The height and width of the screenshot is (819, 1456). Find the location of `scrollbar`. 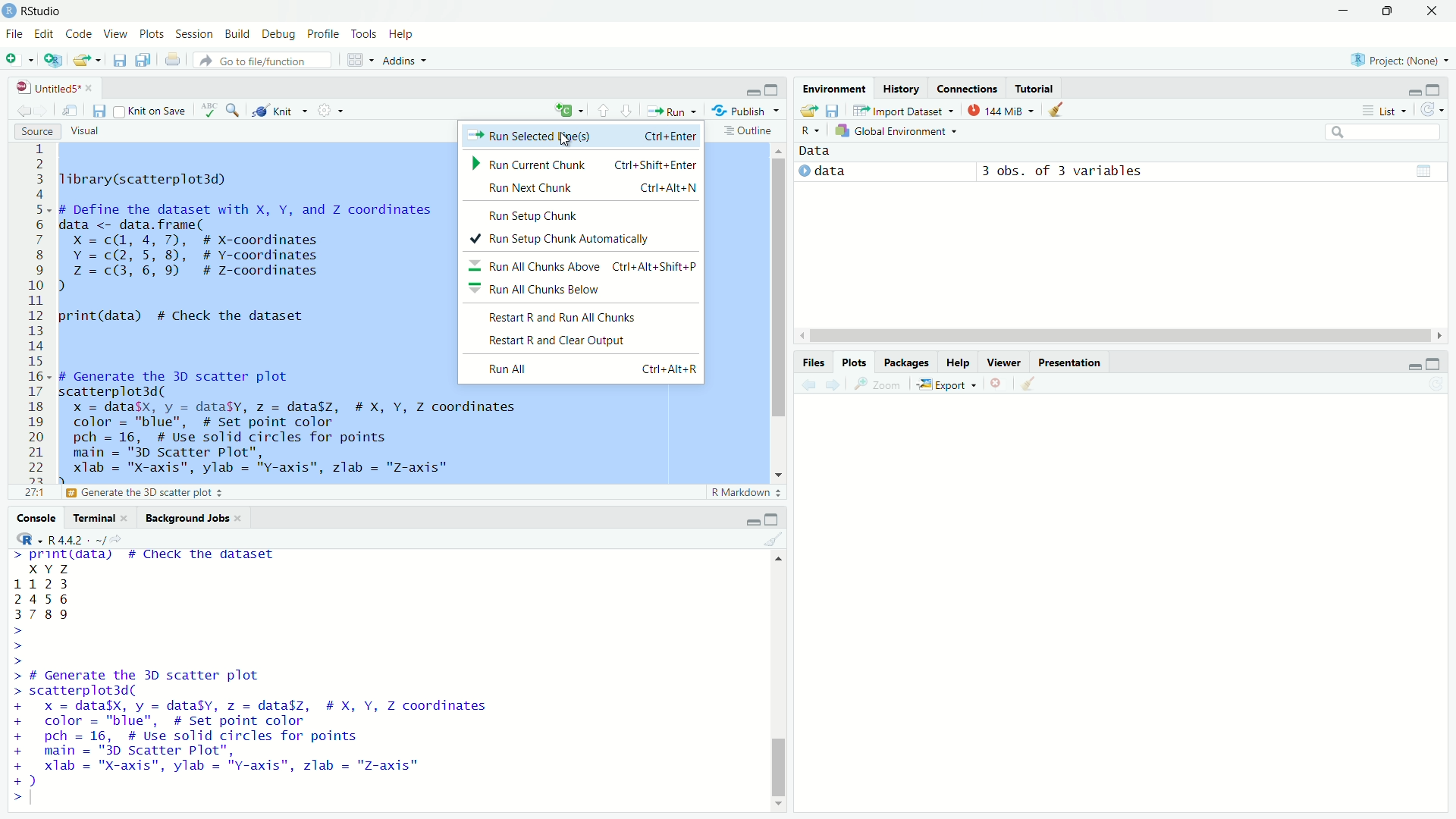

scrollbar is located at coordinates (1119, 335).